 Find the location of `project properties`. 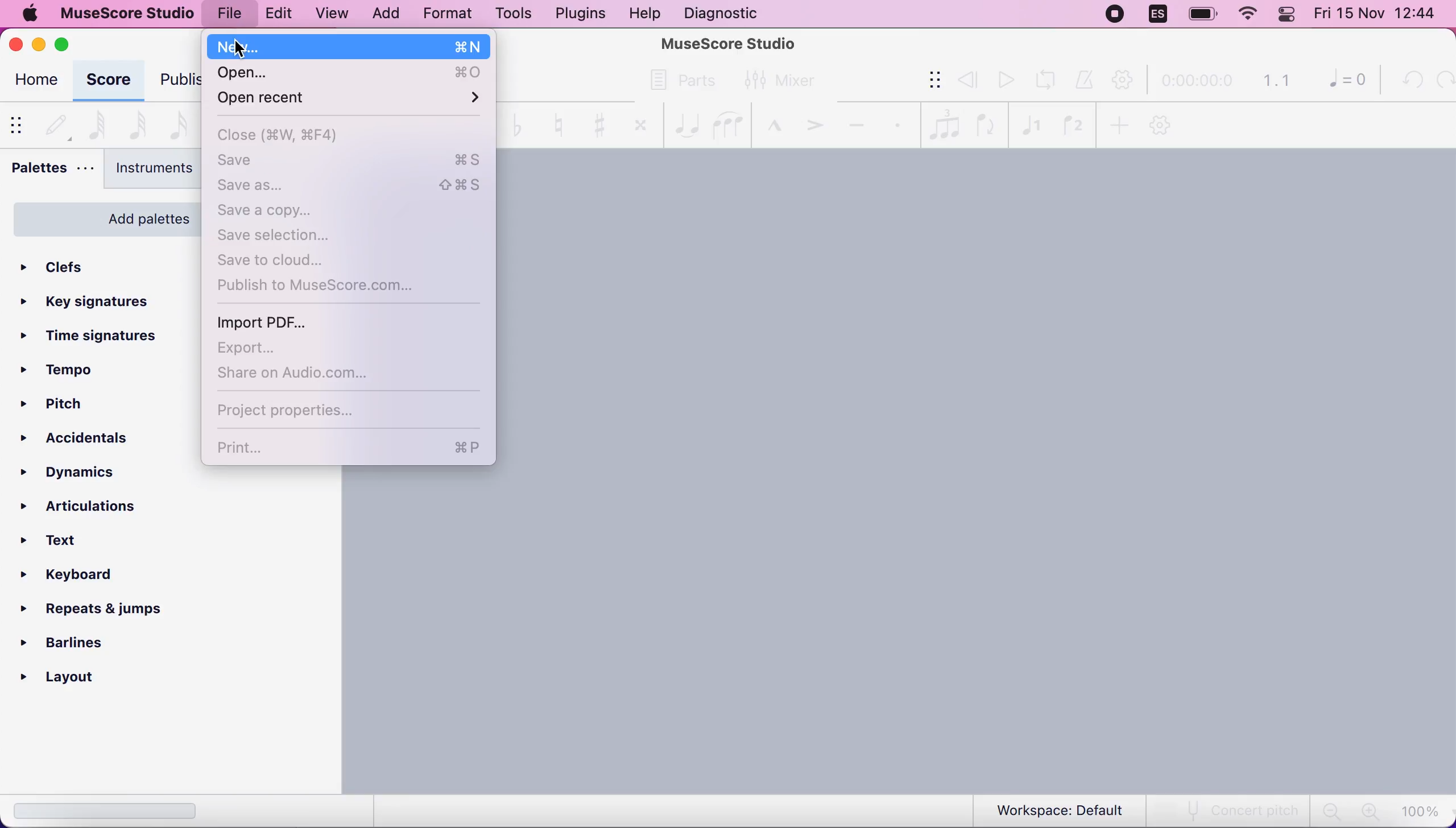

project properties is located at coordinates (307, 409).